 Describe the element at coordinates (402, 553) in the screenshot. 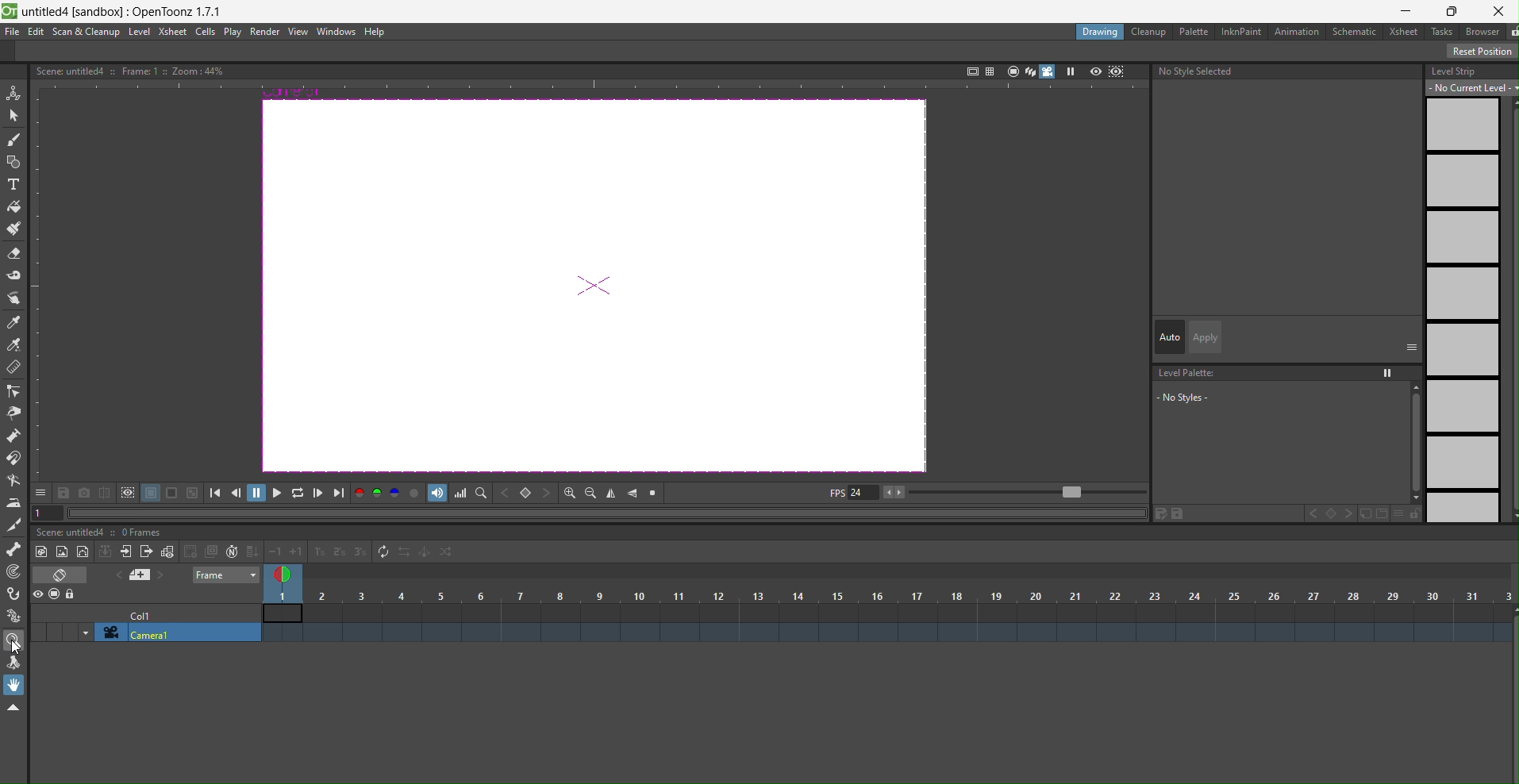

I see `` at that location.